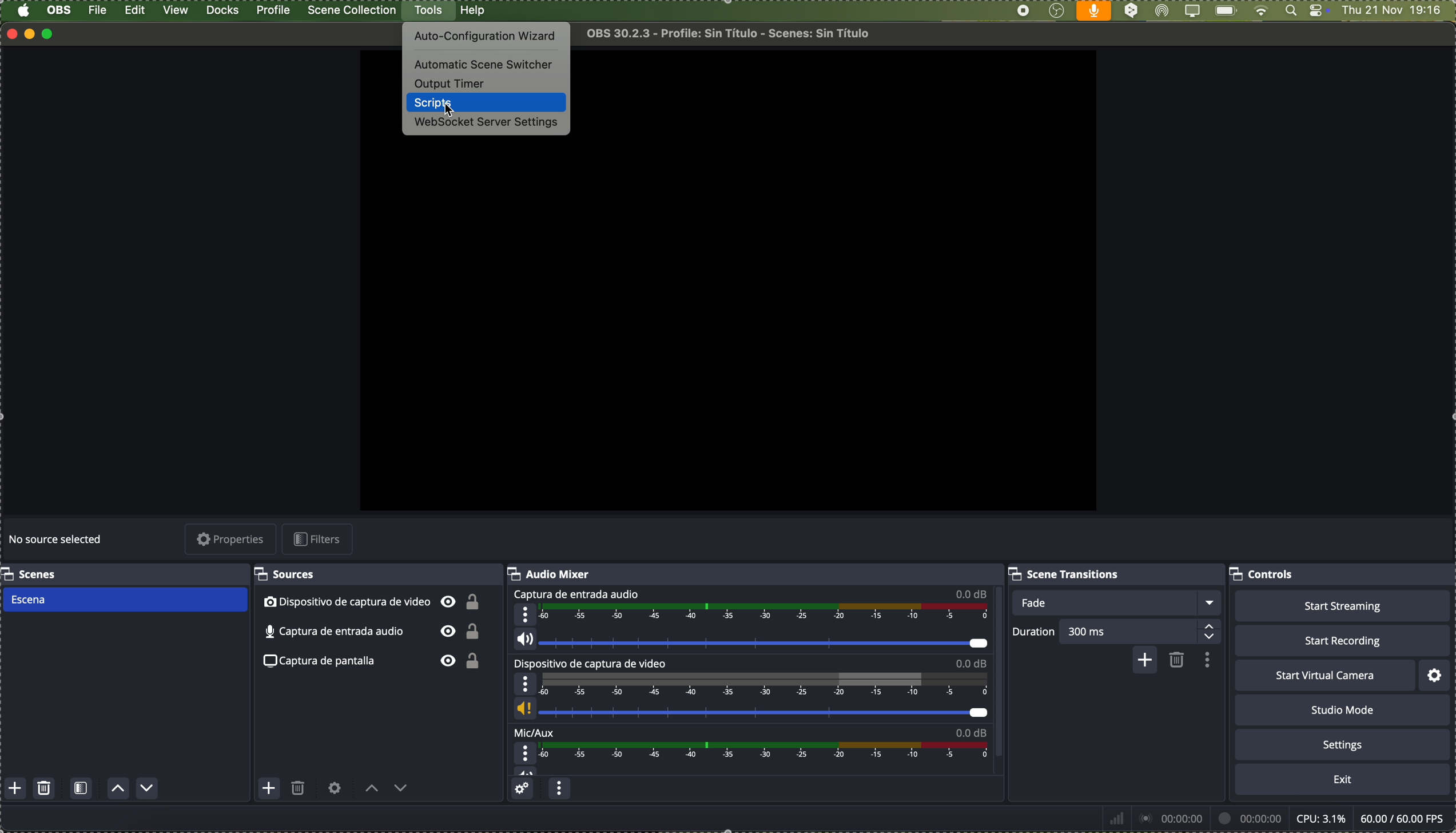 This screenshot has width=1456, height=833. What do you see at coordinates (751, 691) in the screenshot?
I see `video capture device` at bounding box center [751, 691].